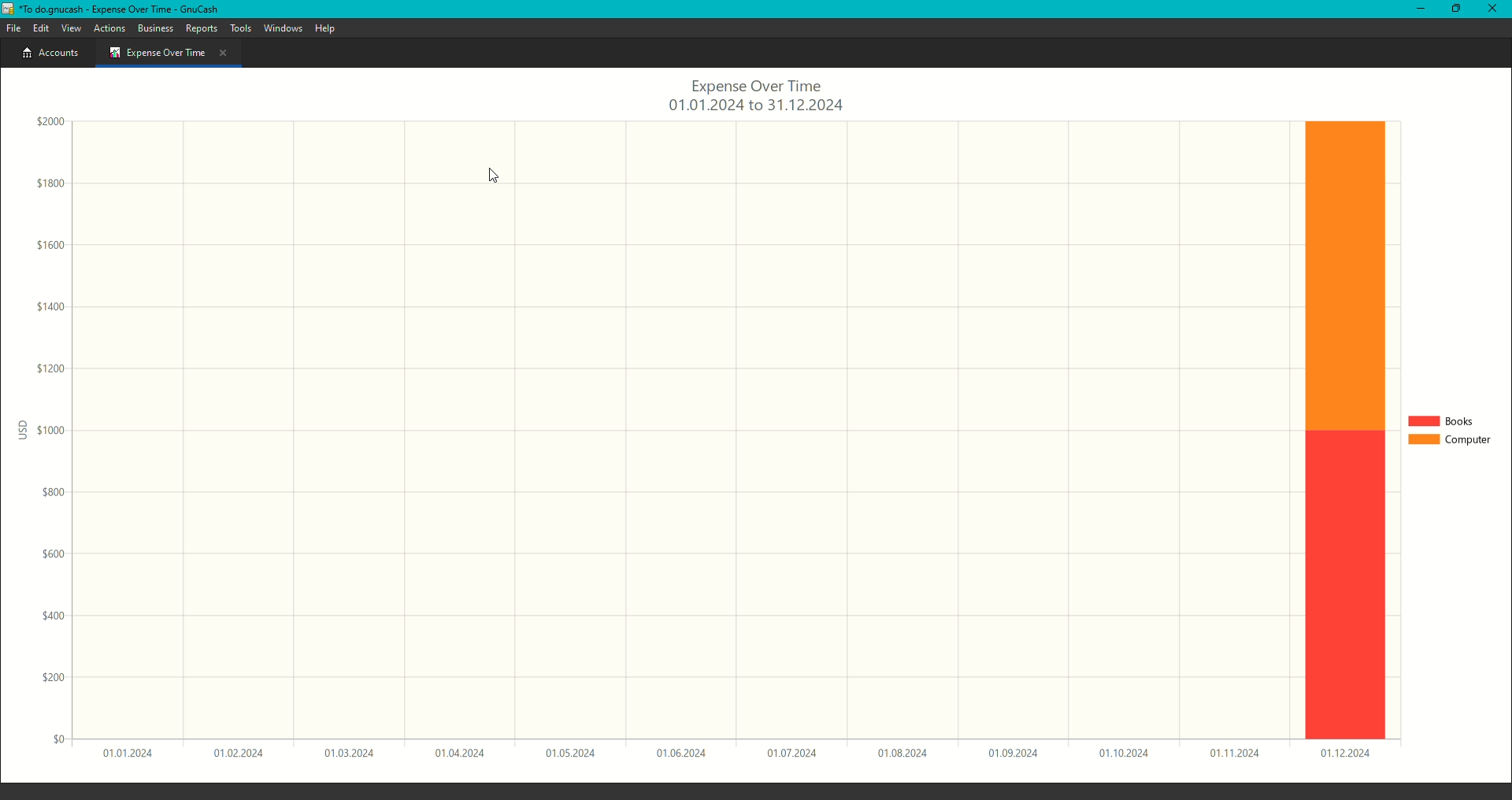 Image resolution: width=1512 pixels, height=800 pixels. I want to click on View, so click(71, 27).